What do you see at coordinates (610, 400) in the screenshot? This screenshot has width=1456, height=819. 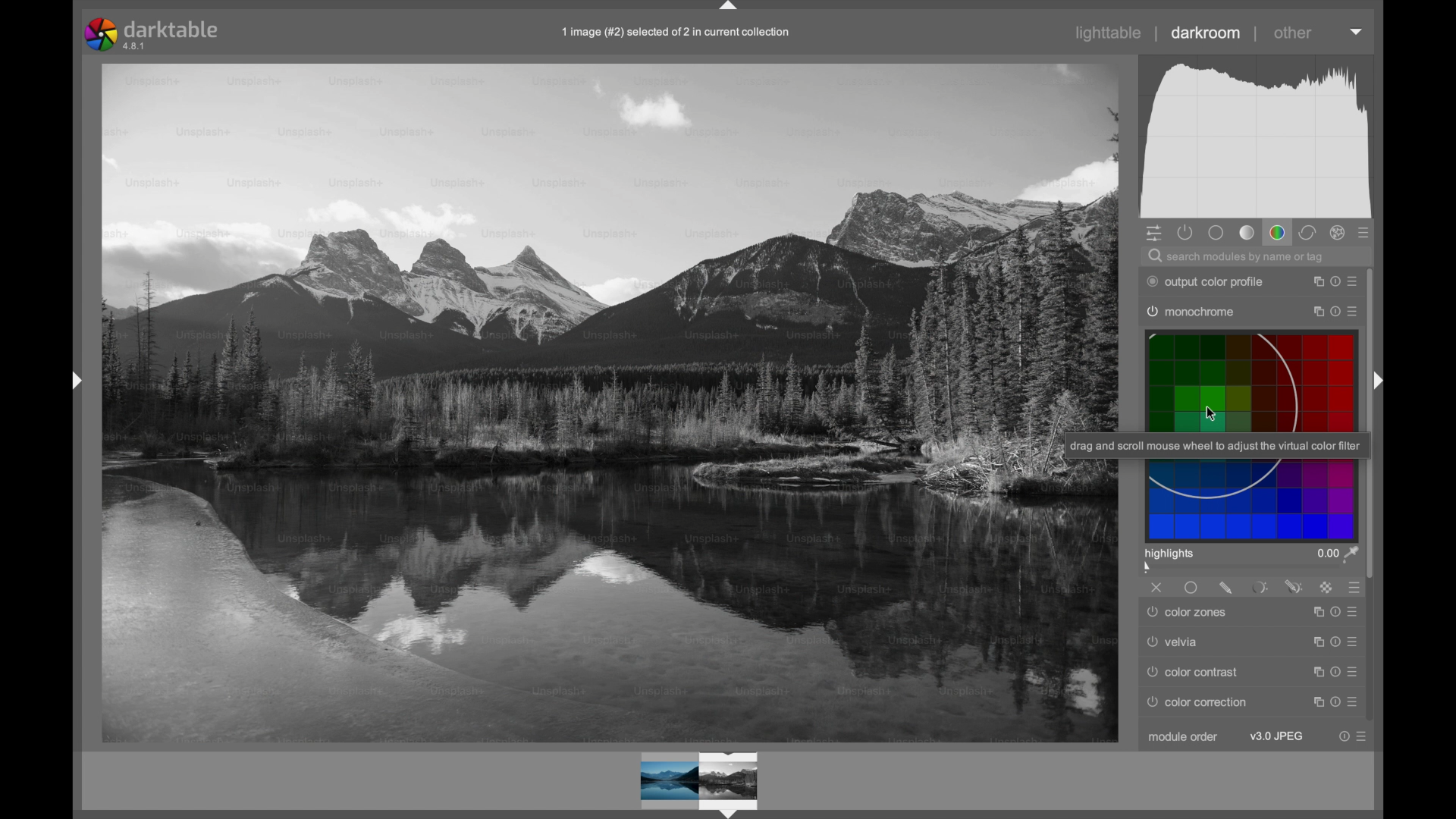 I see `photo preview` at bounding box center [610, 400].